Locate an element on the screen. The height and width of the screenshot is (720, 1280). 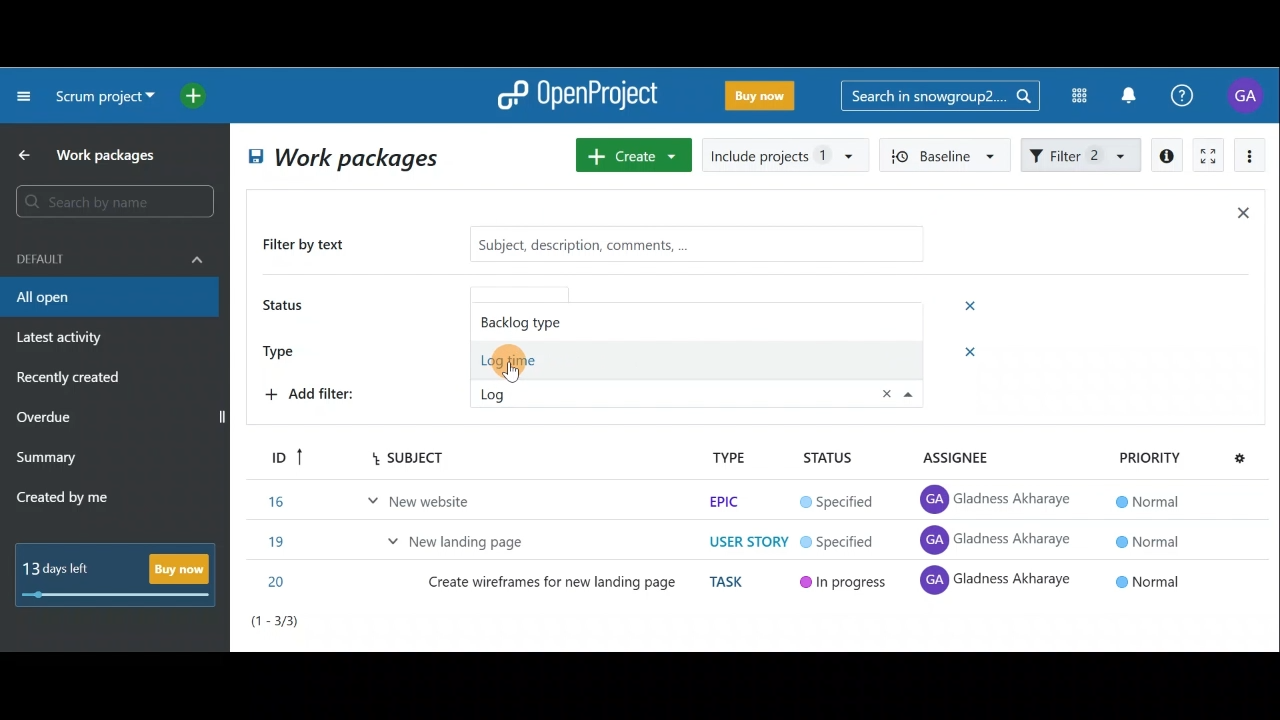
Overdue is located at coordinates (46, 419).